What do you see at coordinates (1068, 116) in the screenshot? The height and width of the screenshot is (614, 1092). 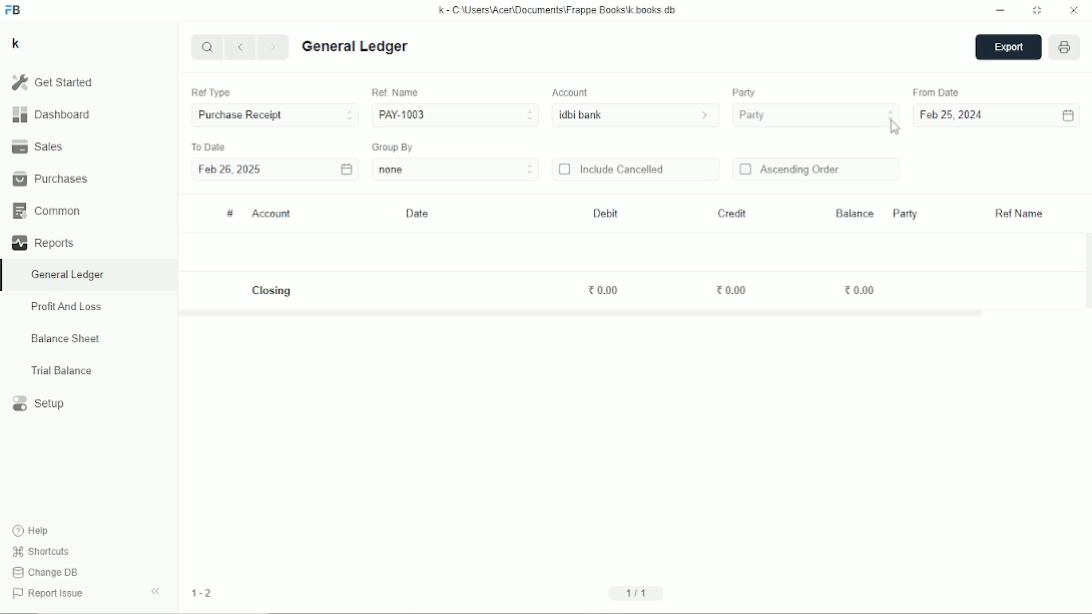 I see `Calendar` at bounding box center [1068, 116].